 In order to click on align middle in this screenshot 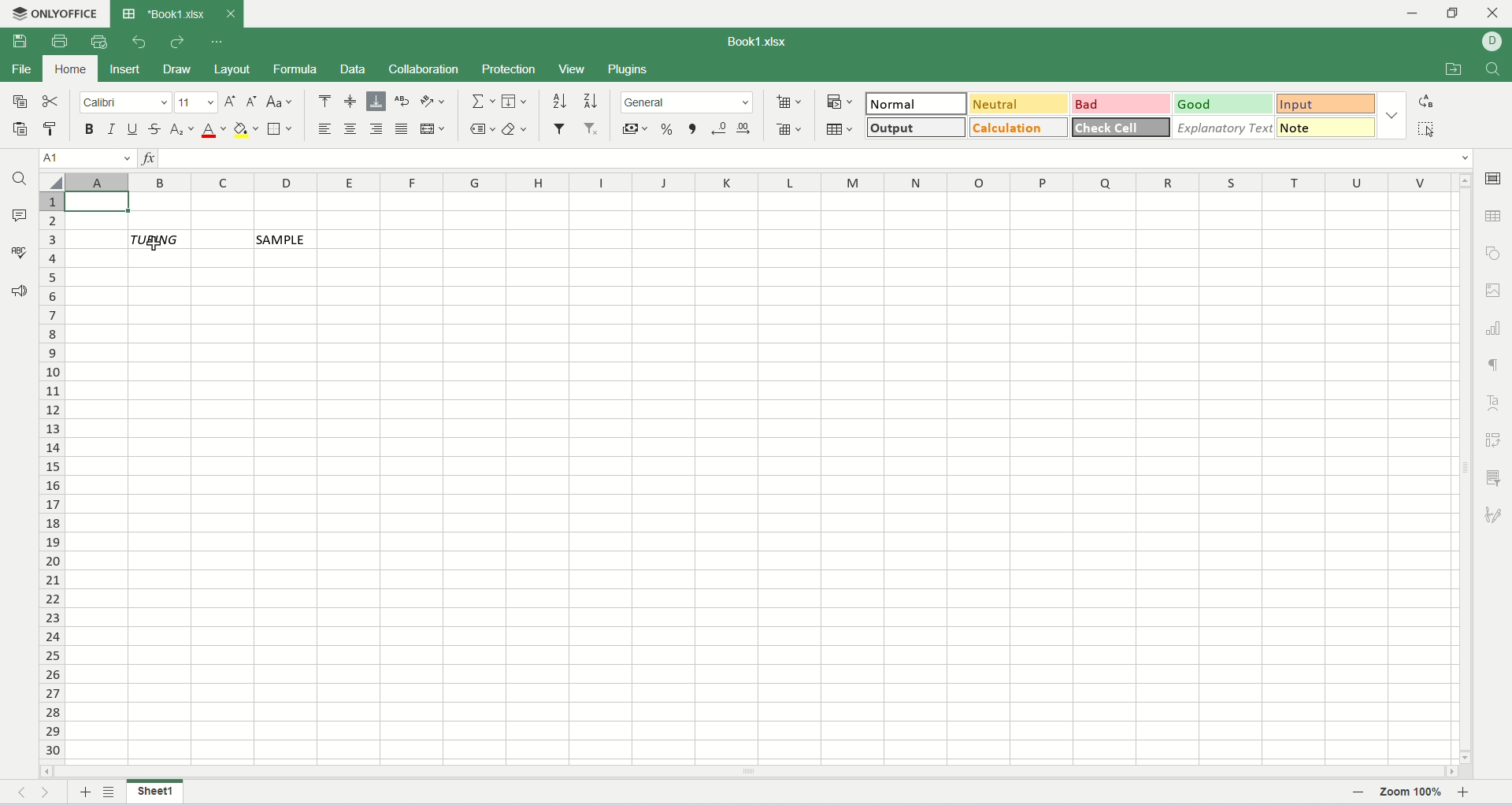, I will do `click(352, 103)`.